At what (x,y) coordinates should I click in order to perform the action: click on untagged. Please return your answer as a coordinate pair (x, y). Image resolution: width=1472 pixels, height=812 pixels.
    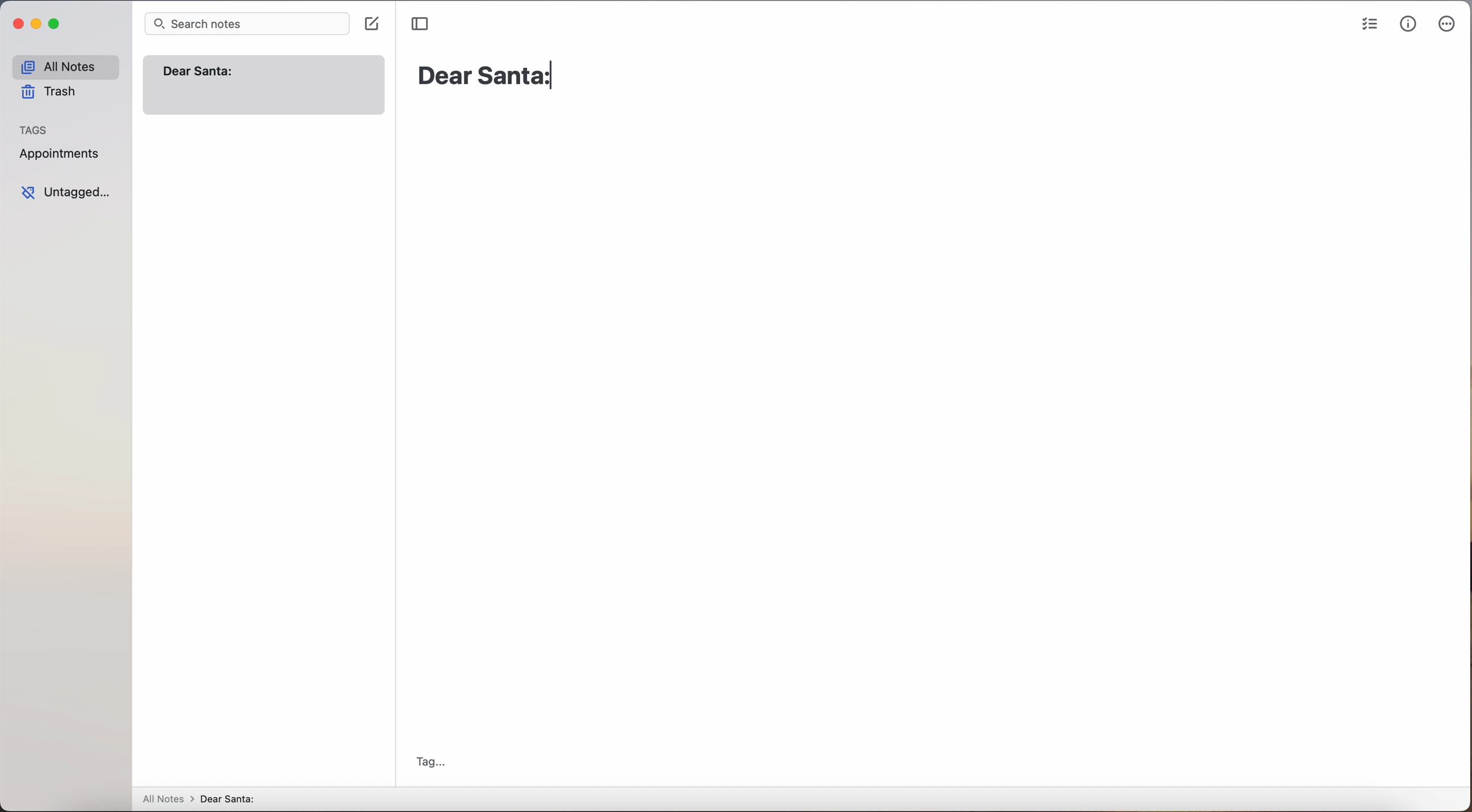
    Looking at the image, I should click on (71, 193).